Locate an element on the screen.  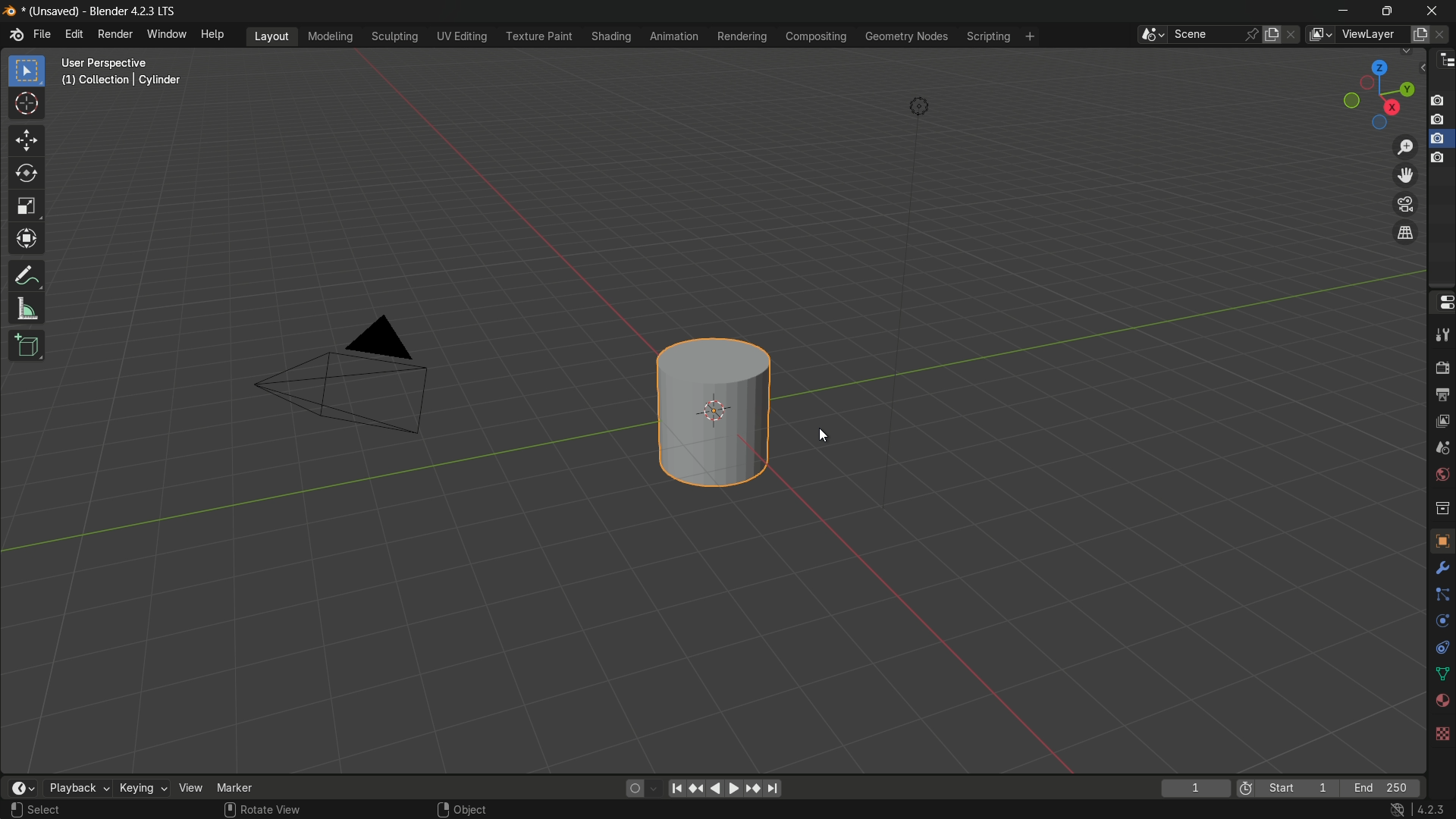
scene is located at coordinates (1206, 35).